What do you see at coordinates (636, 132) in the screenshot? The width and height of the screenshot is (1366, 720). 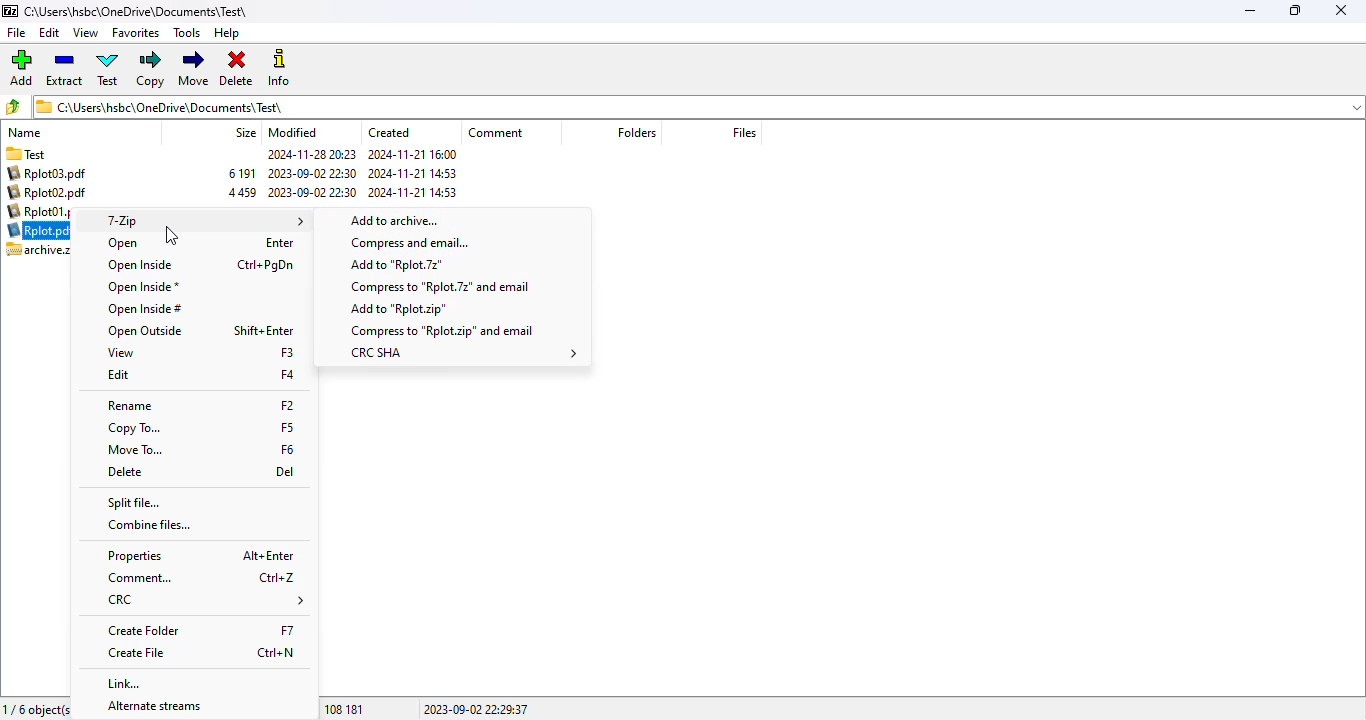 I see `folders` at bounding box center [636, 132].